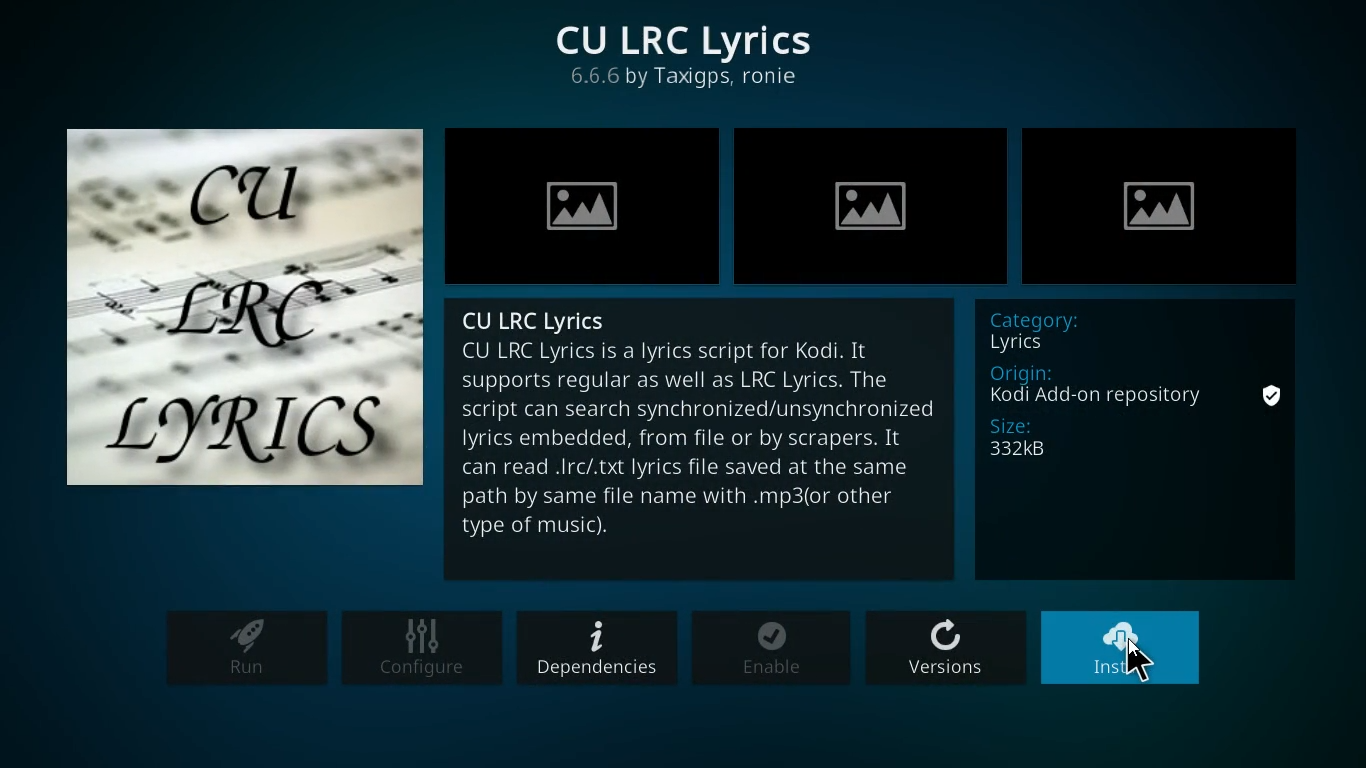  I want to click on install, so click(1124, 653).